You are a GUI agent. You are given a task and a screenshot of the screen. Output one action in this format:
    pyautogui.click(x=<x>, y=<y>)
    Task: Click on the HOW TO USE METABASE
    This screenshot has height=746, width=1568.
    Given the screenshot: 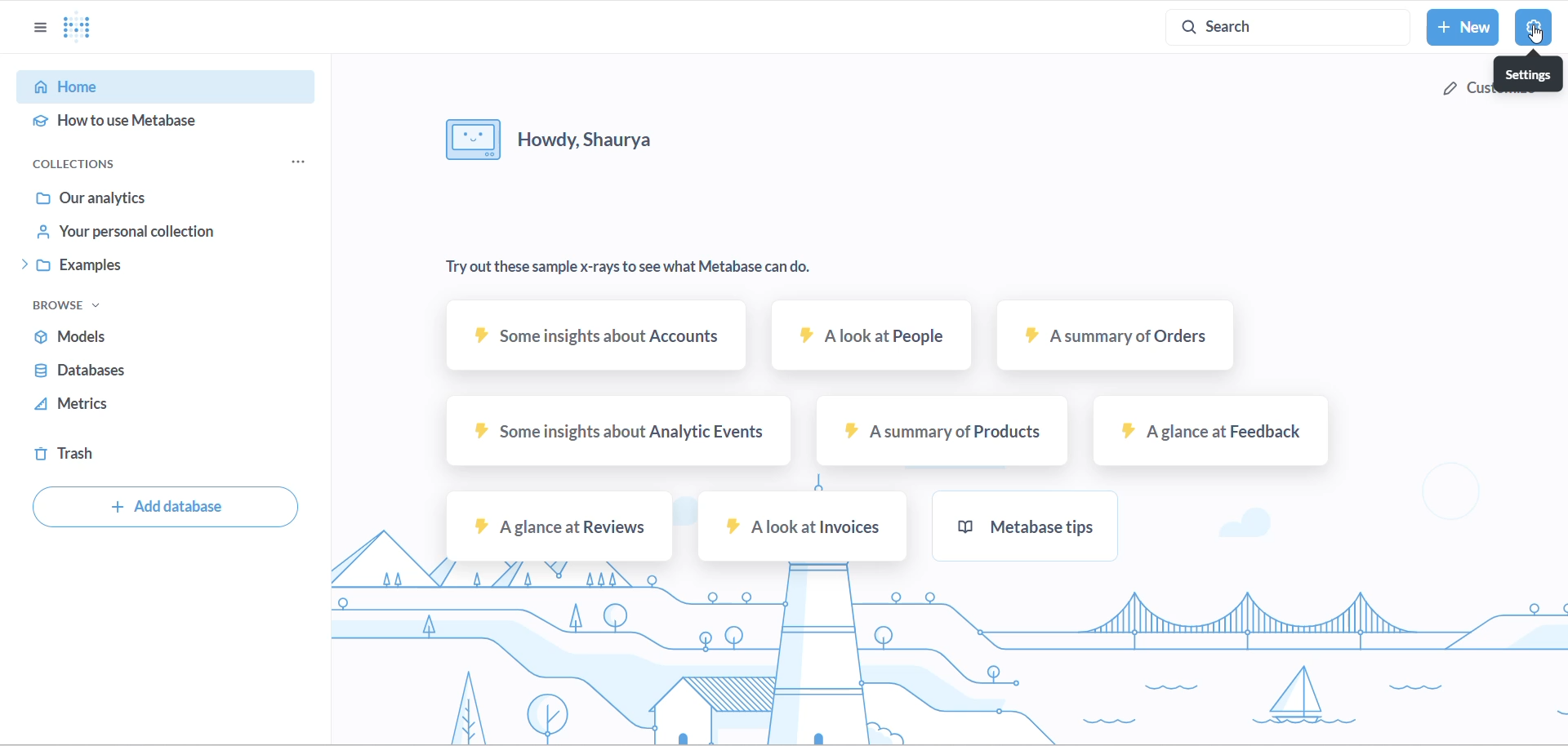 What is the action you would take?
    pyautogui.click(x=140, y=122)
    